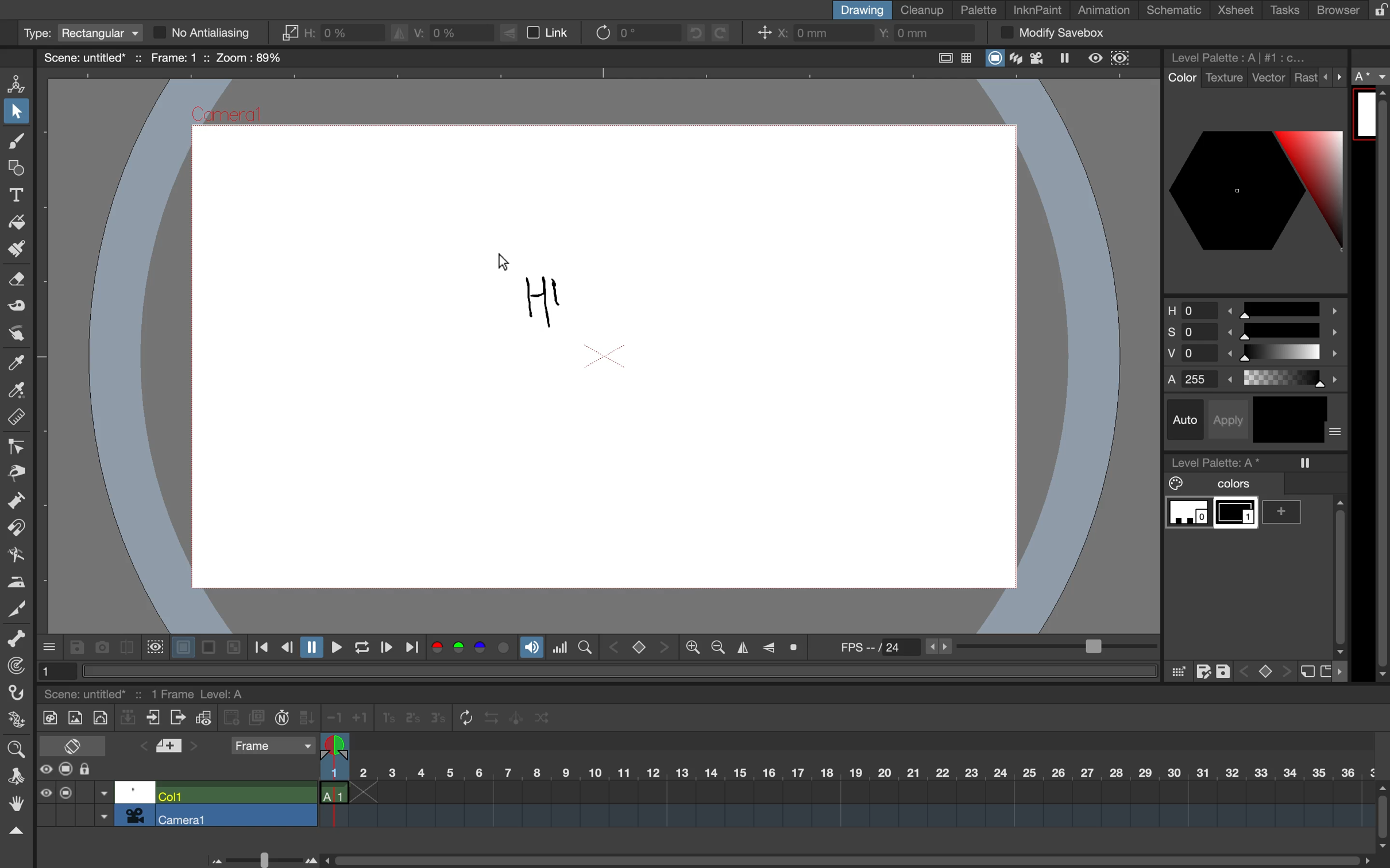 The image size is (1390, 868). What do you see at coordinates (17, 363) in the screenshot?
I see `style picker tool` at bounding box center [17, 363].